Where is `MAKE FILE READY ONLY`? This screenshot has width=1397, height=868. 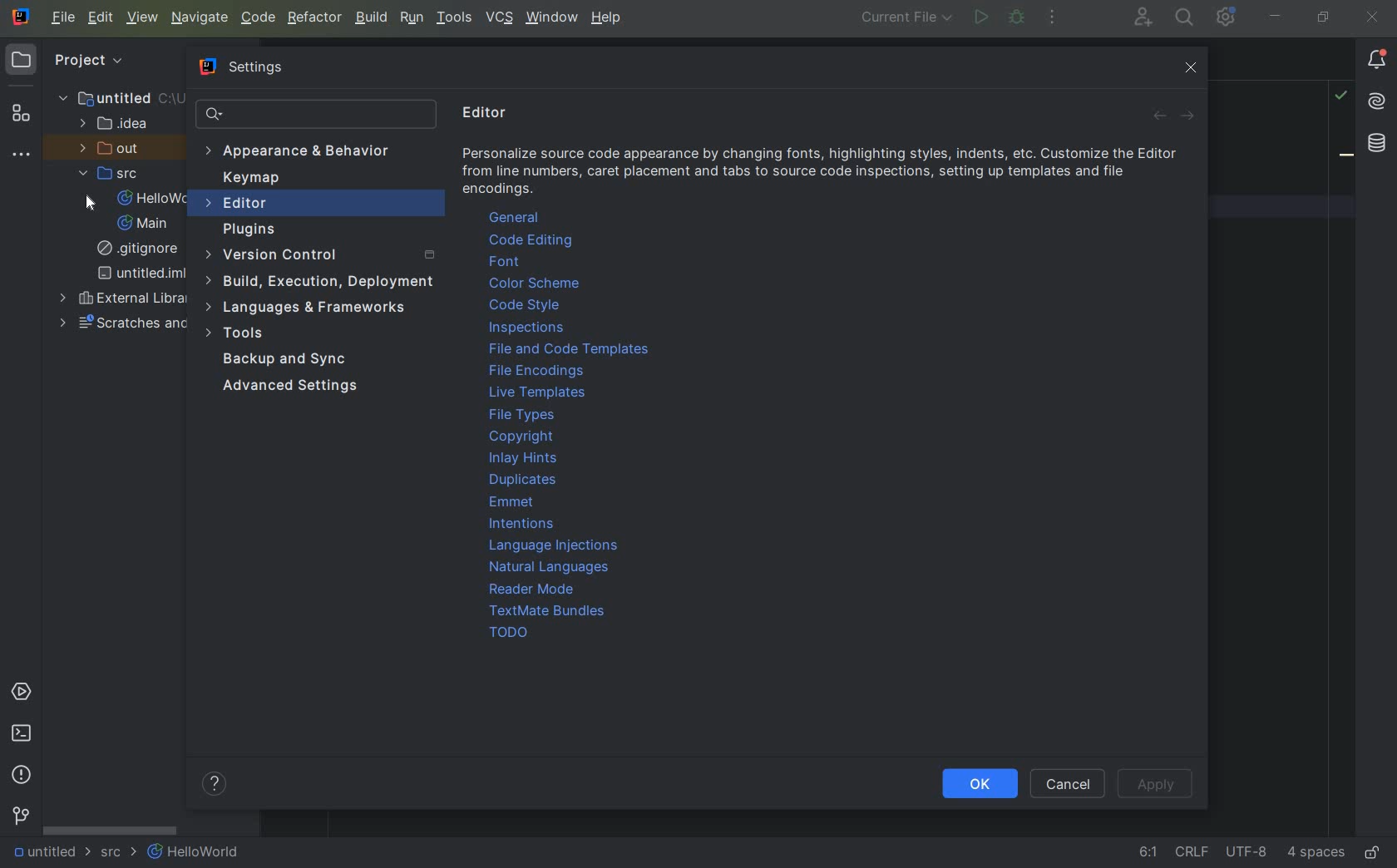 MAKE FILE READY ONLY is located at coordinates (1373, 854).